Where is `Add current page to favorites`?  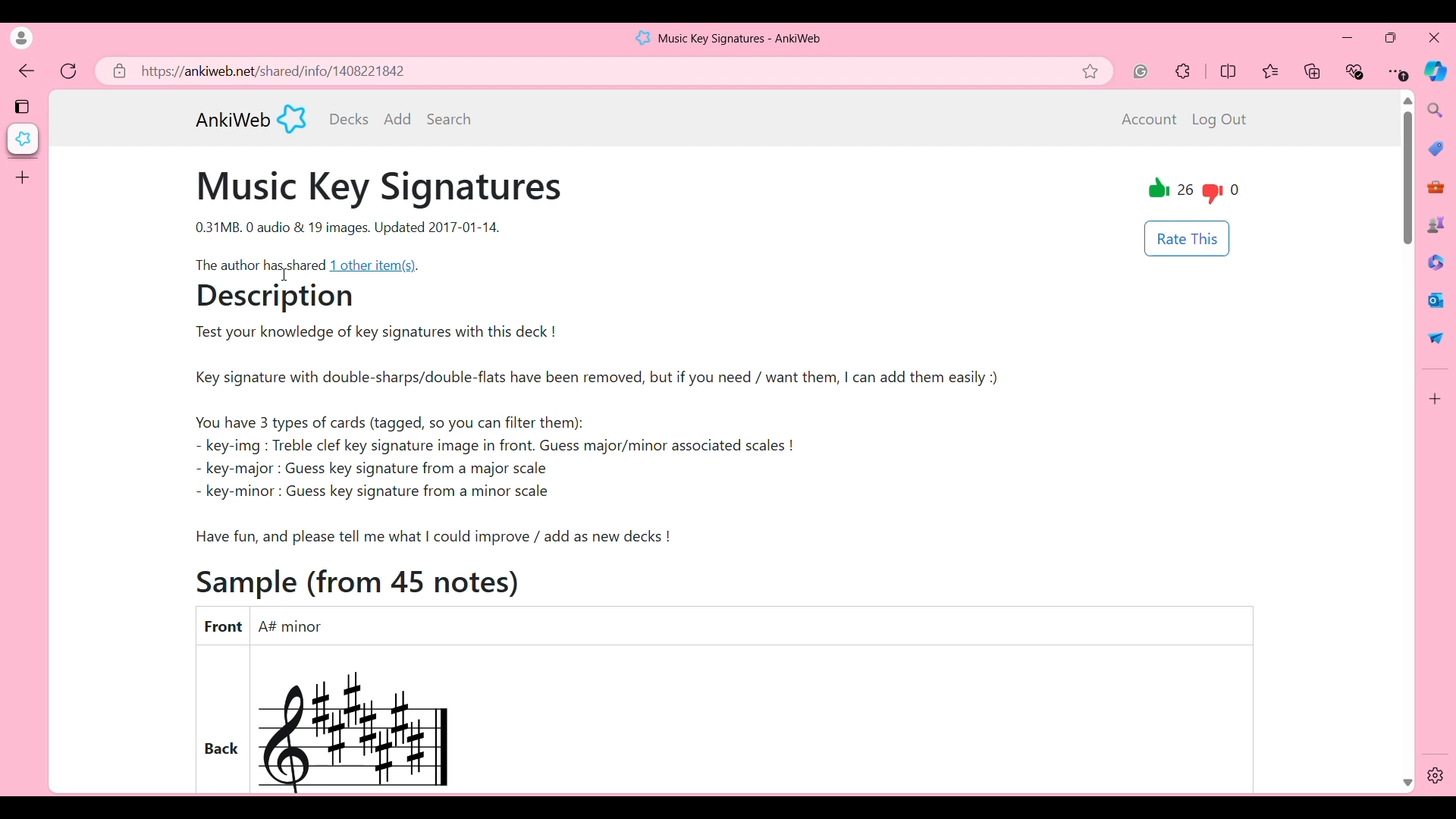 Add current page to favorites is located at coordinates (1096, 71).